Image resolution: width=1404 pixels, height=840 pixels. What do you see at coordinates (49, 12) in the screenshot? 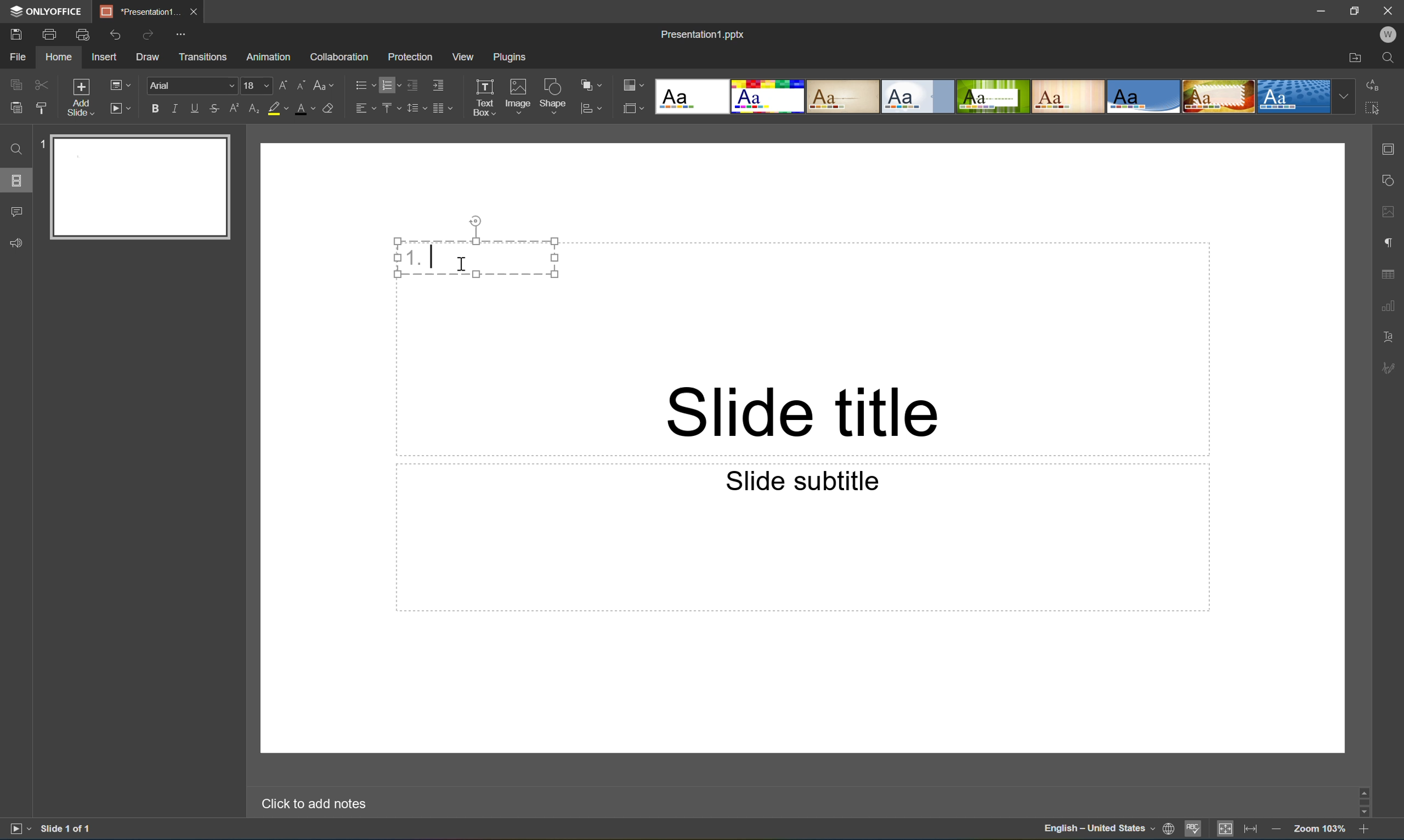
I see `ONLYOFFICE` at bounding box center [49, 12].